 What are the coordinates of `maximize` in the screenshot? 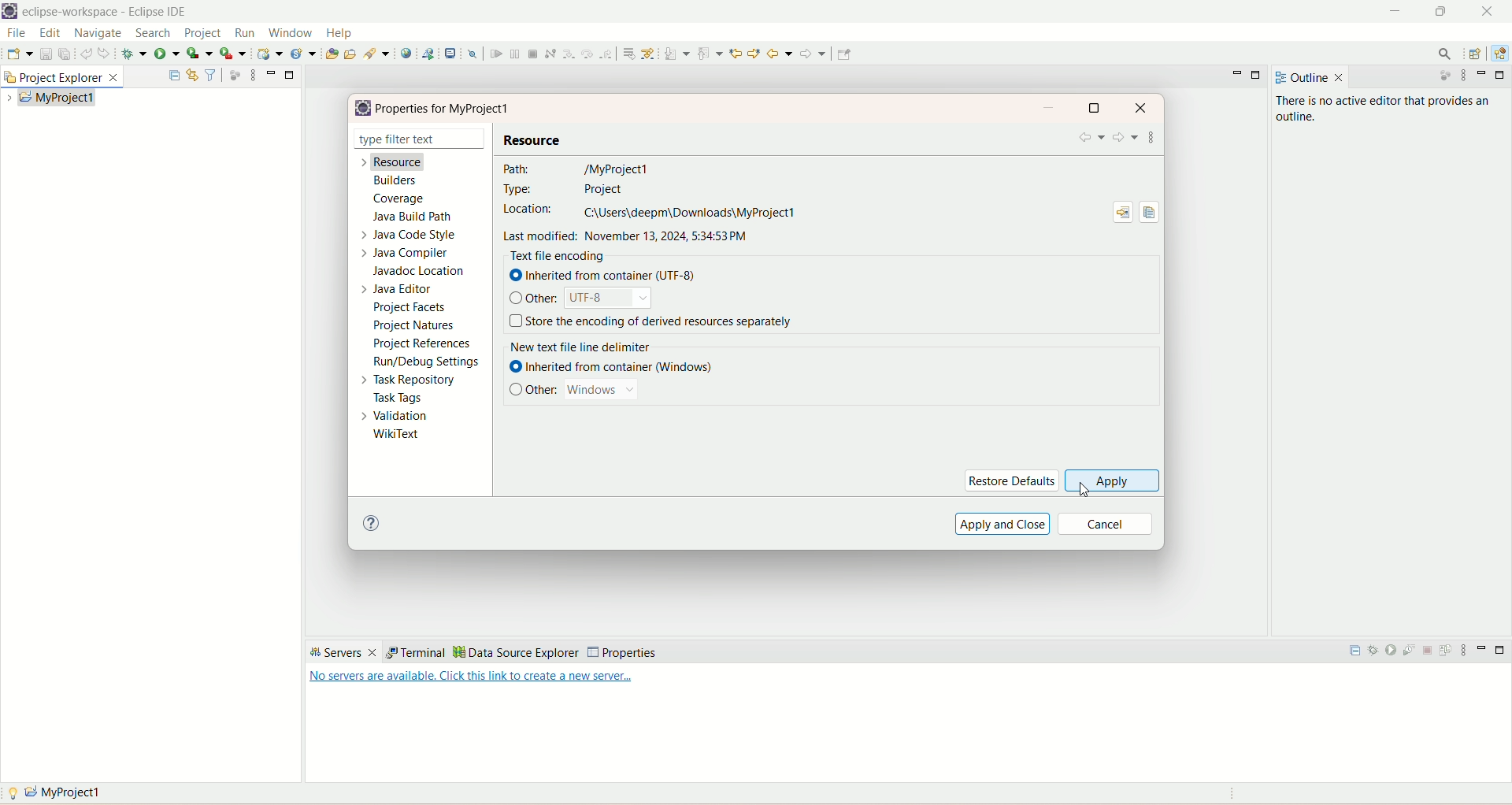 It's located at (1440, 13).